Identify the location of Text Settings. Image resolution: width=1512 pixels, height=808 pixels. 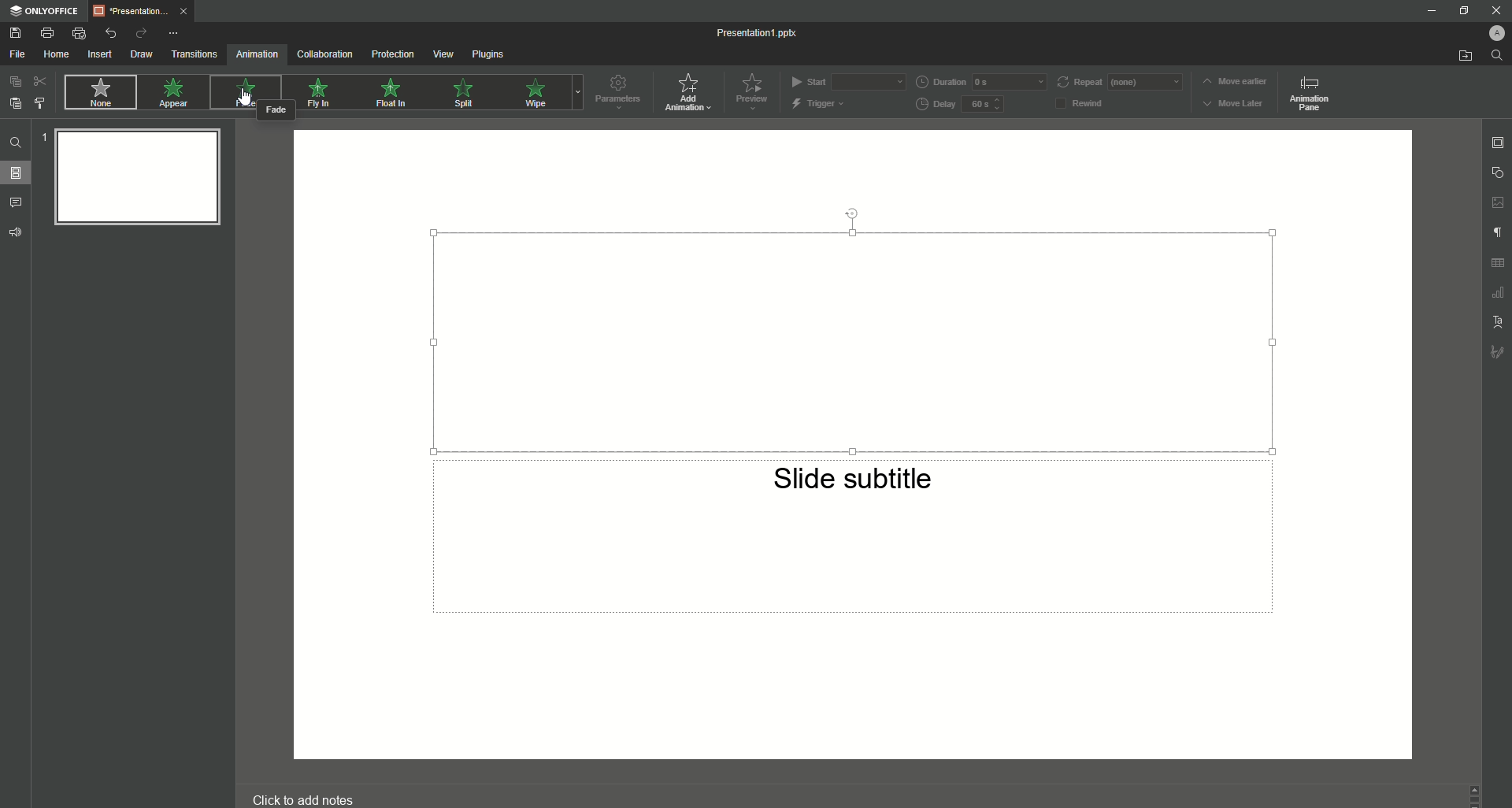
(1498, 321).